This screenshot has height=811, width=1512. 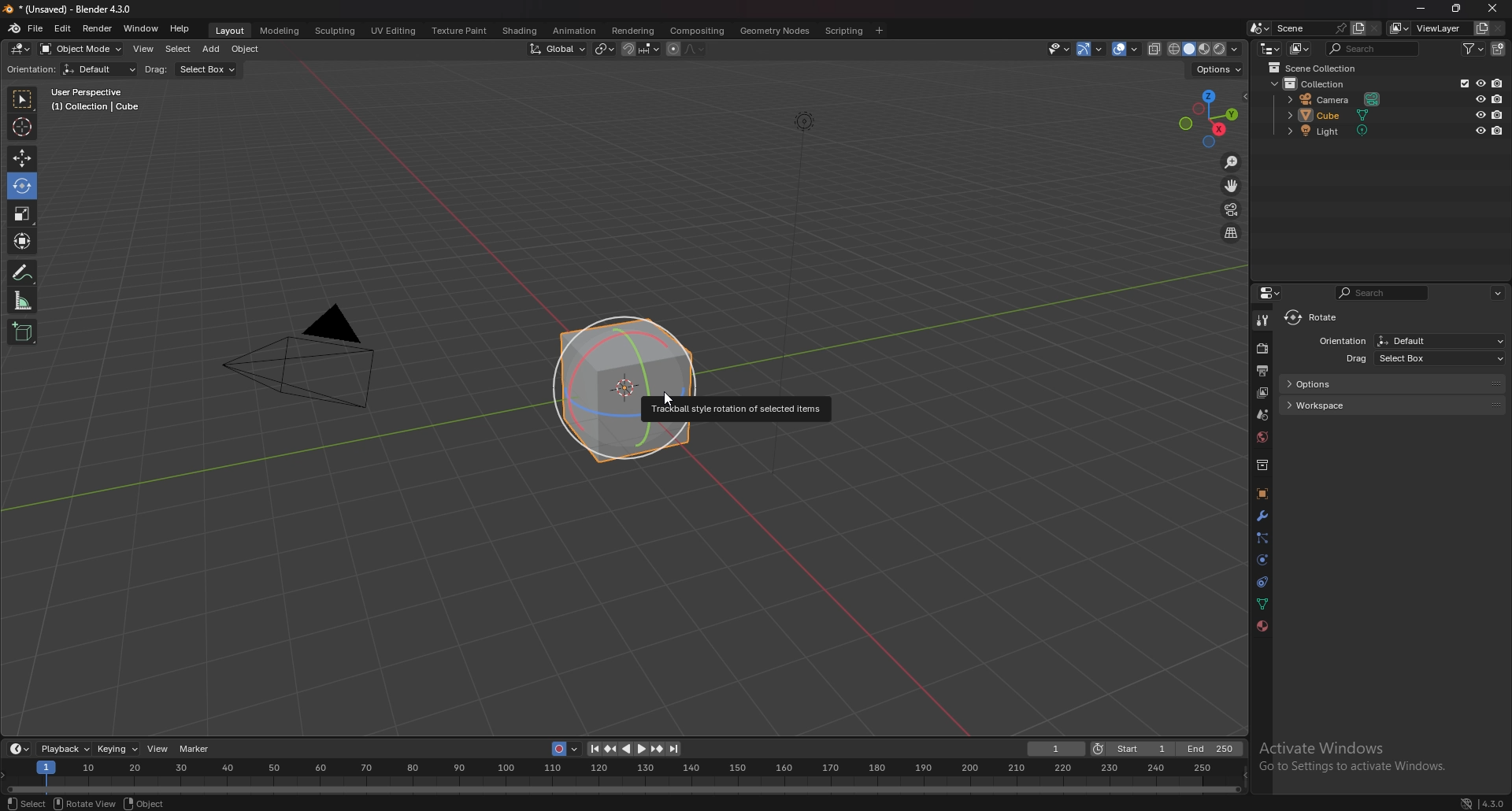 I want to click on search, so click(x=1374, y=49).